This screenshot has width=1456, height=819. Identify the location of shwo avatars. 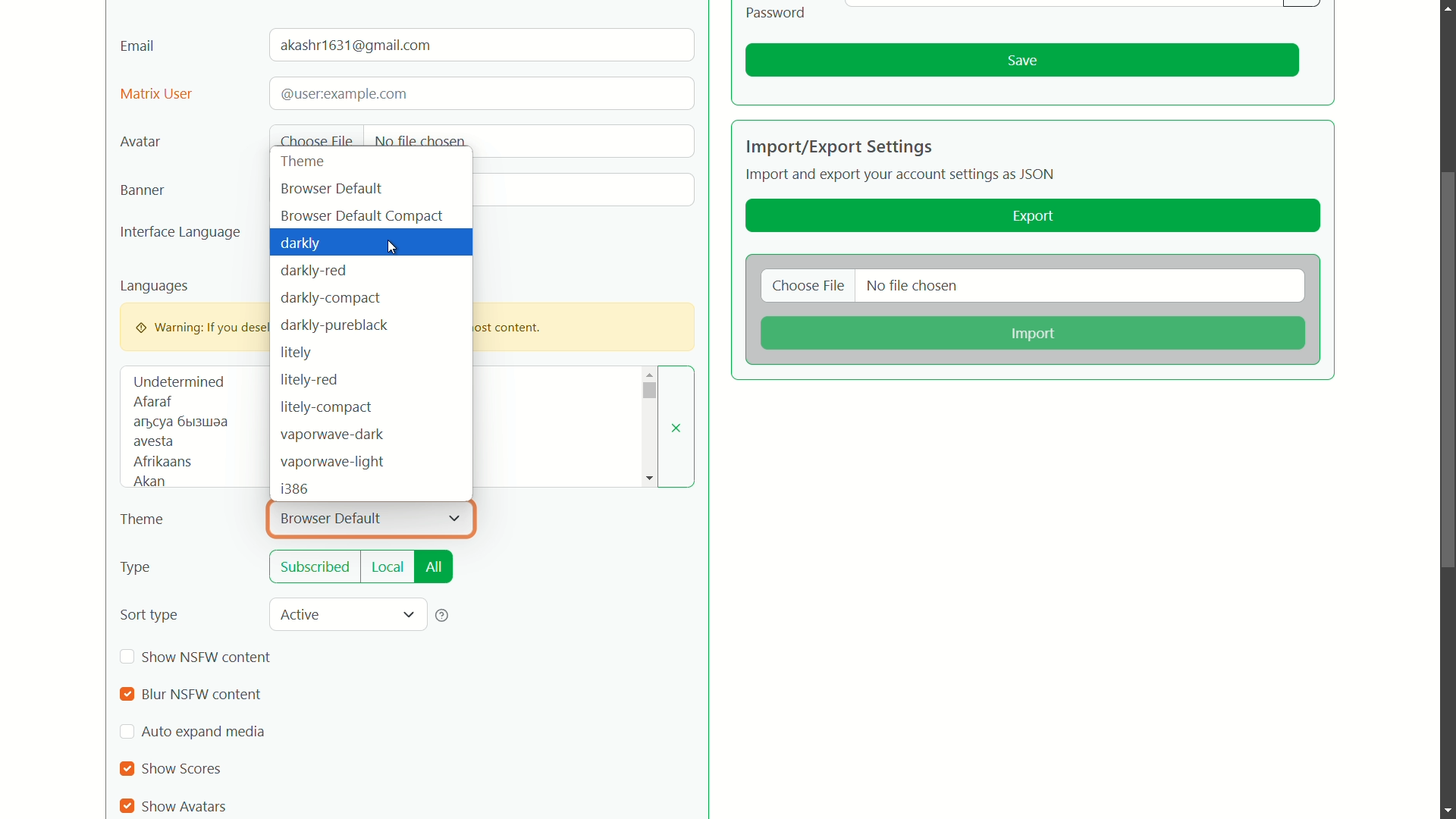
(187, 805).